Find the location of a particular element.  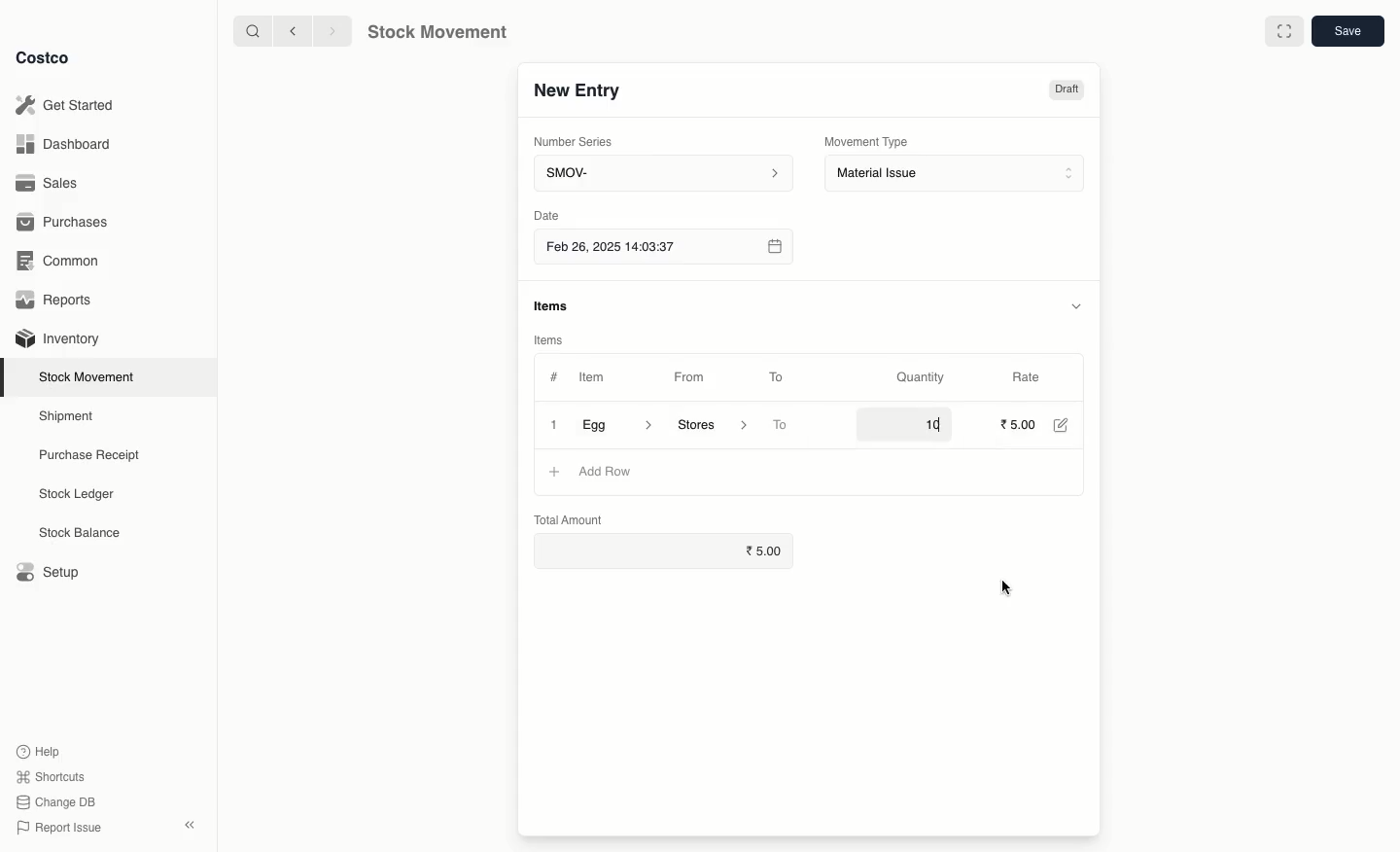

Stock Ledger is located at coordinates (77, 496).